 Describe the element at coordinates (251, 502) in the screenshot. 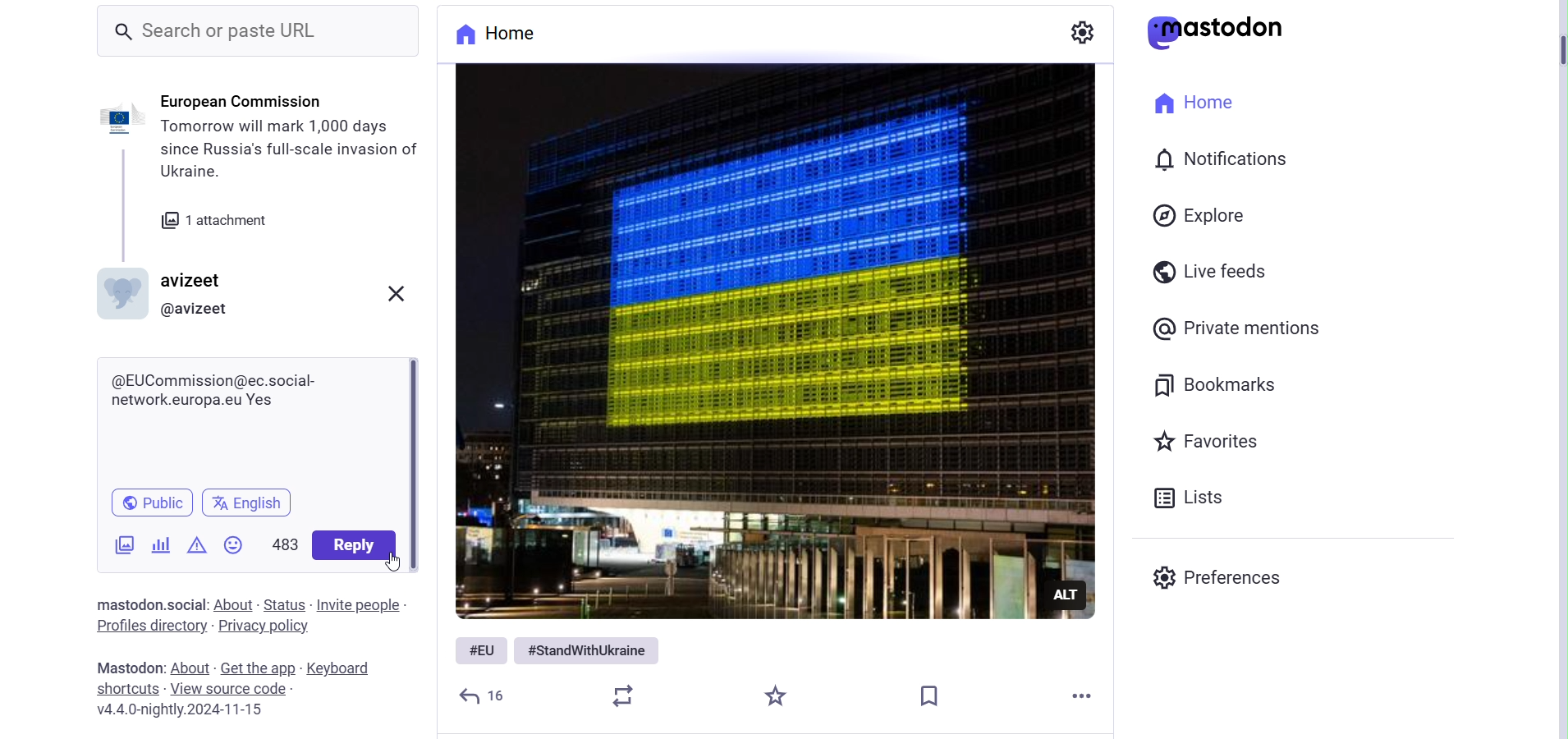

I see `Change Language` at that location.